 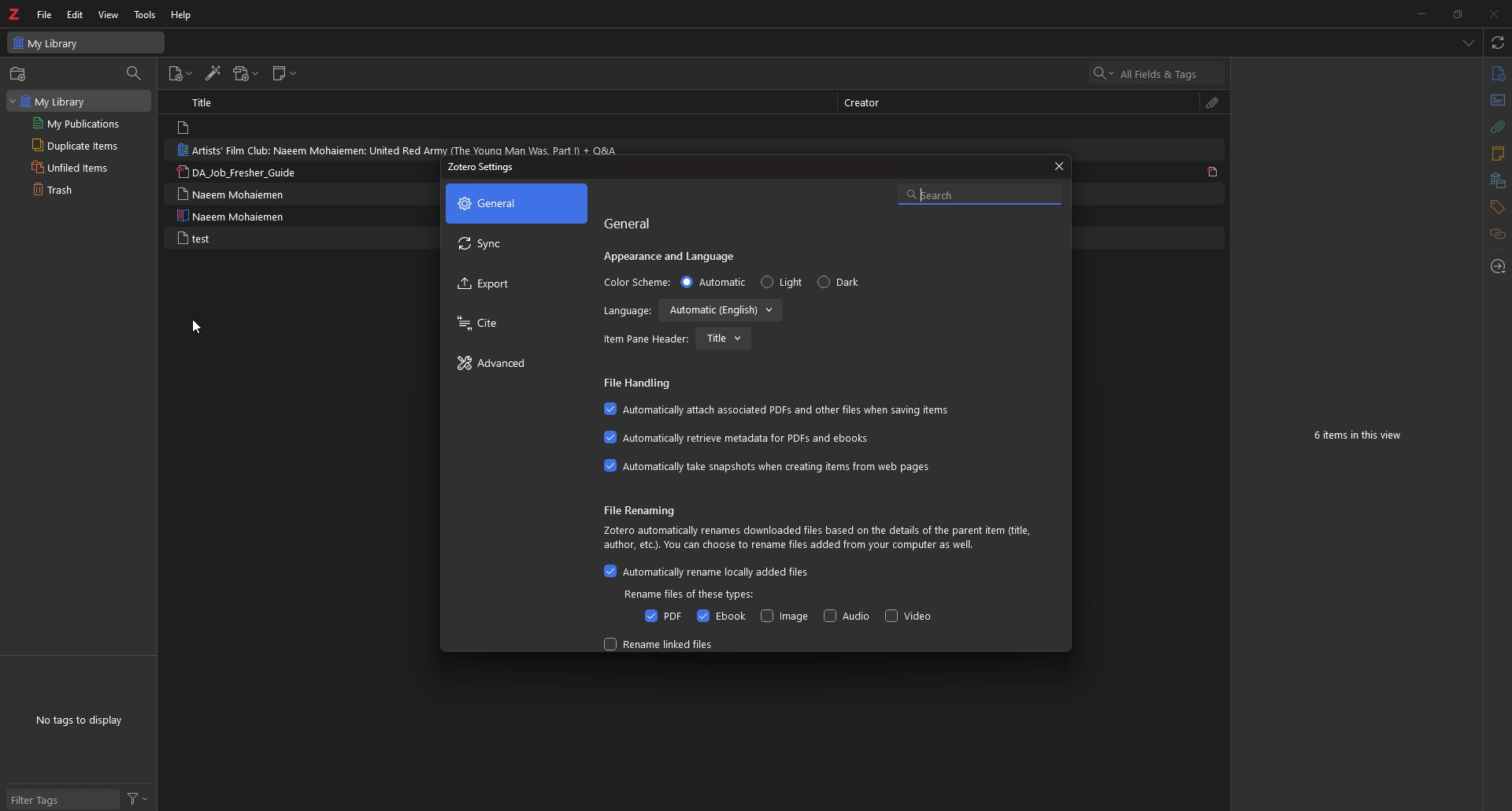 What do you see at coordinates (77, 101) in the screenshot?
I see `my library` at bounding box center [77, 101].